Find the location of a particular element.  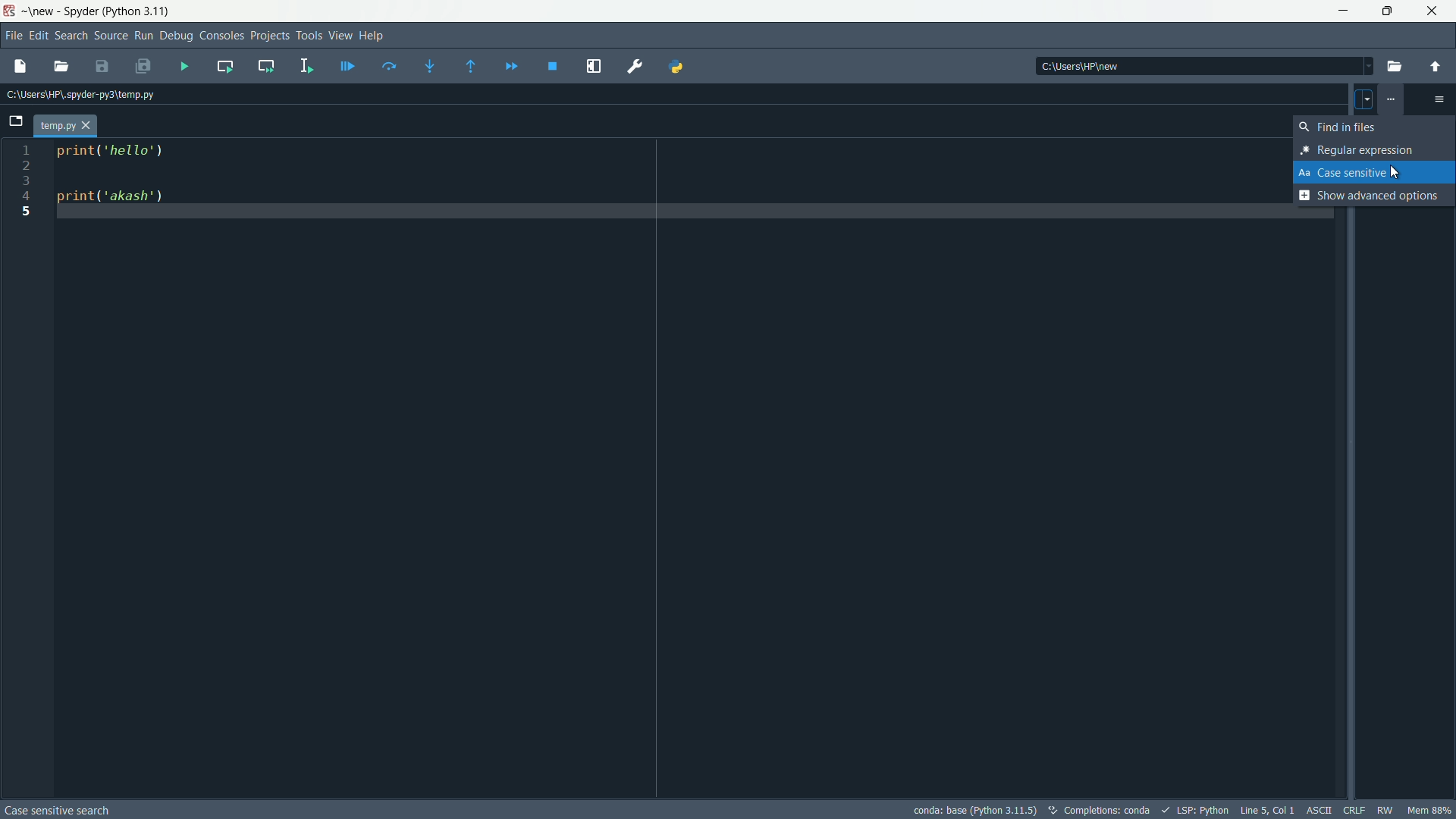

Edit menu is located at coordinates (37, 35).